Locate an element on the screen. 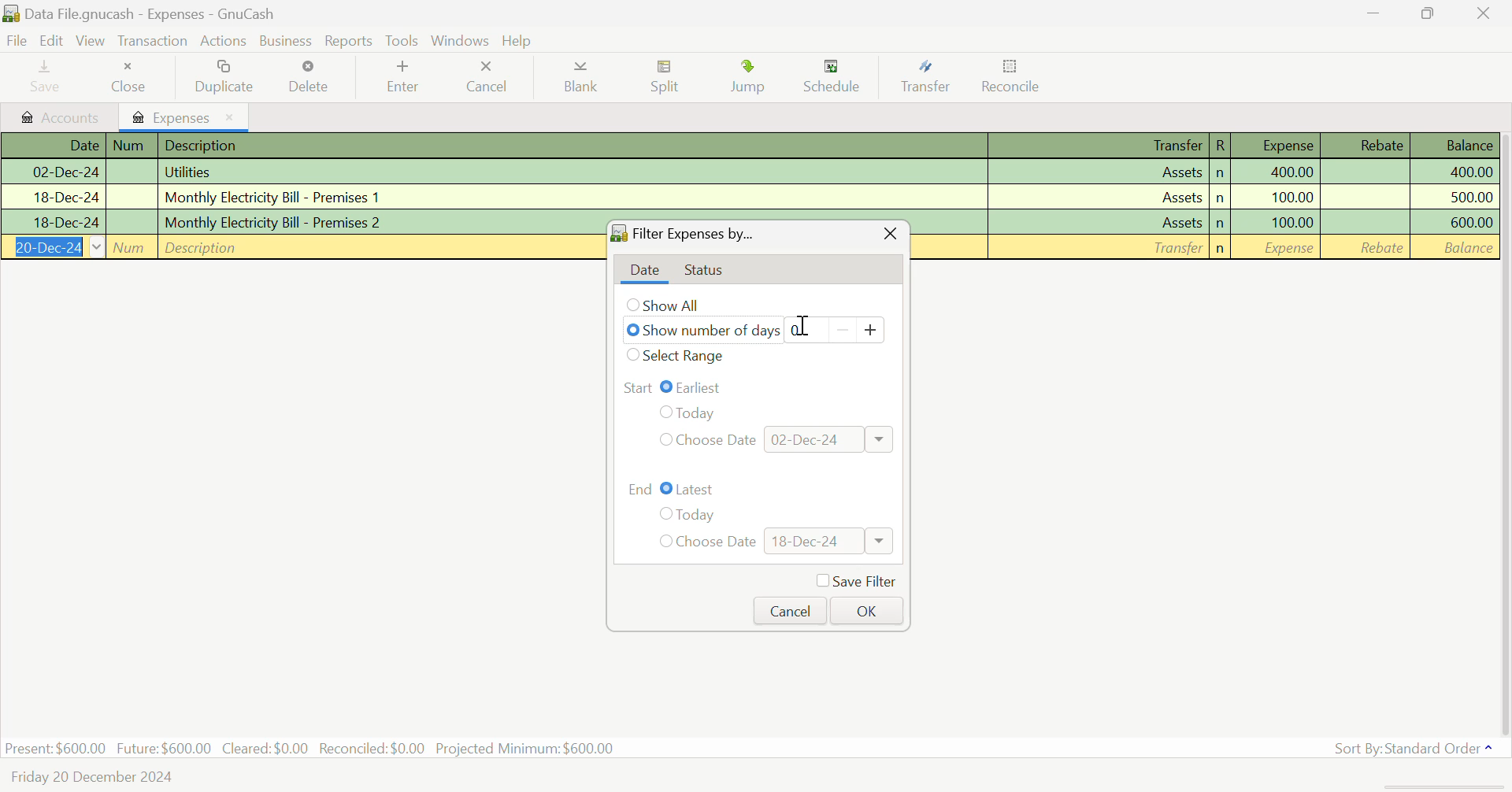 The width and height of the screenshot is (1512, 792). Date is located at coordinates (51, 248).